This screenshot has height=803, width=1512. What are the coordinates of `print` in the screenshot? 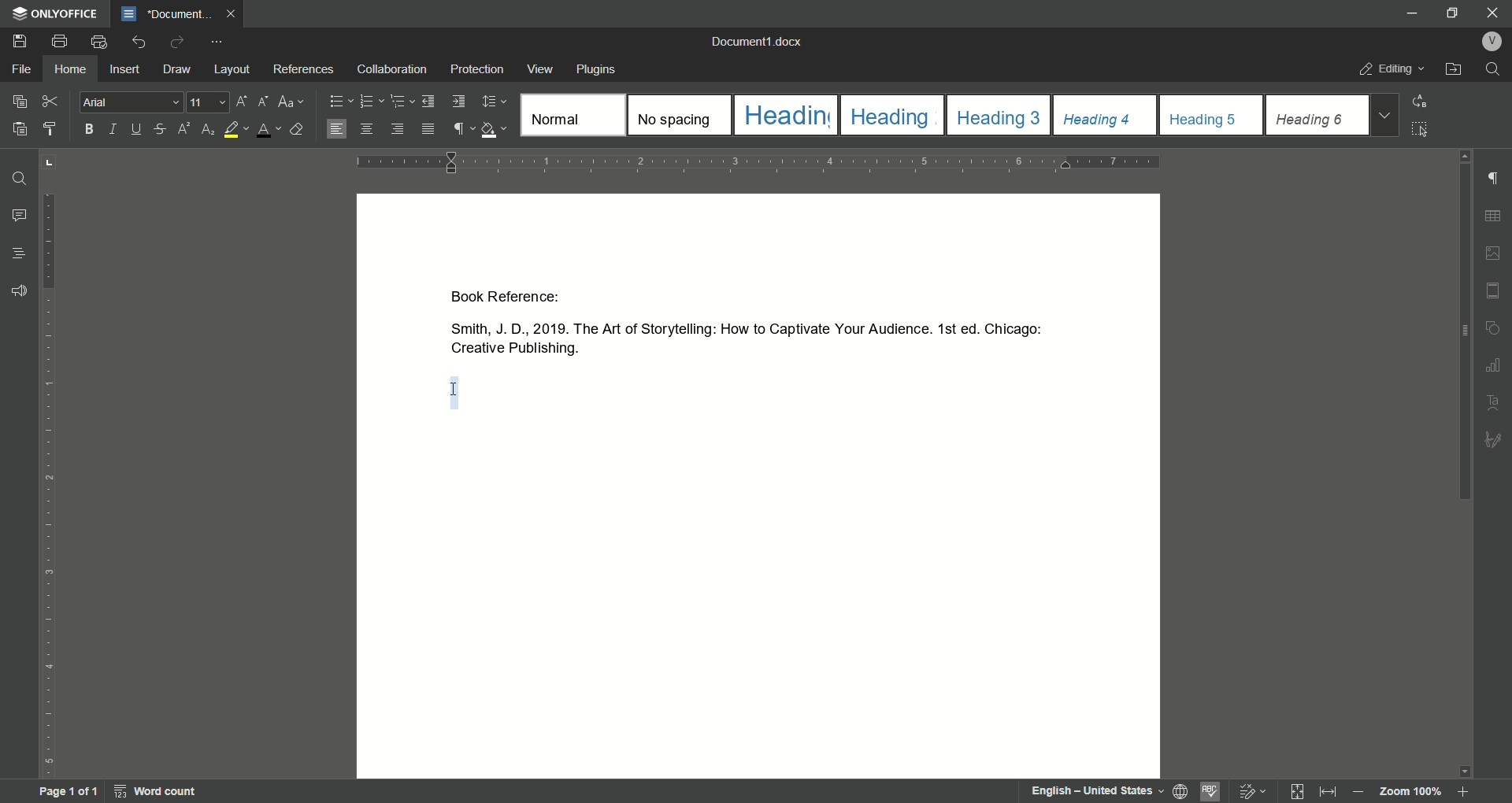 It's located at (59, 43).